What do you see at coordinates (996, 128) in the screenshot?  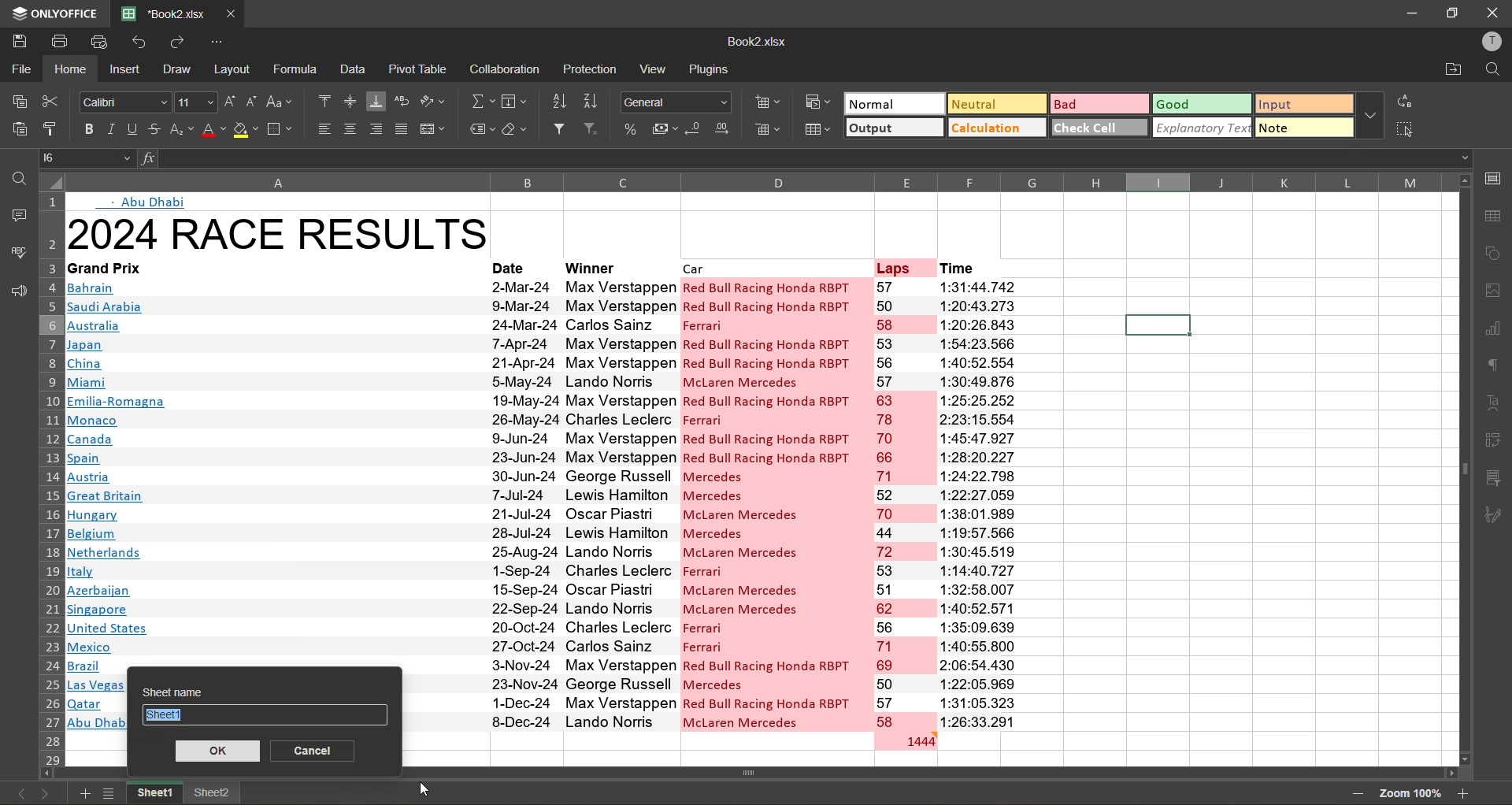 I see `calculation` at bounding box center [996, 128].